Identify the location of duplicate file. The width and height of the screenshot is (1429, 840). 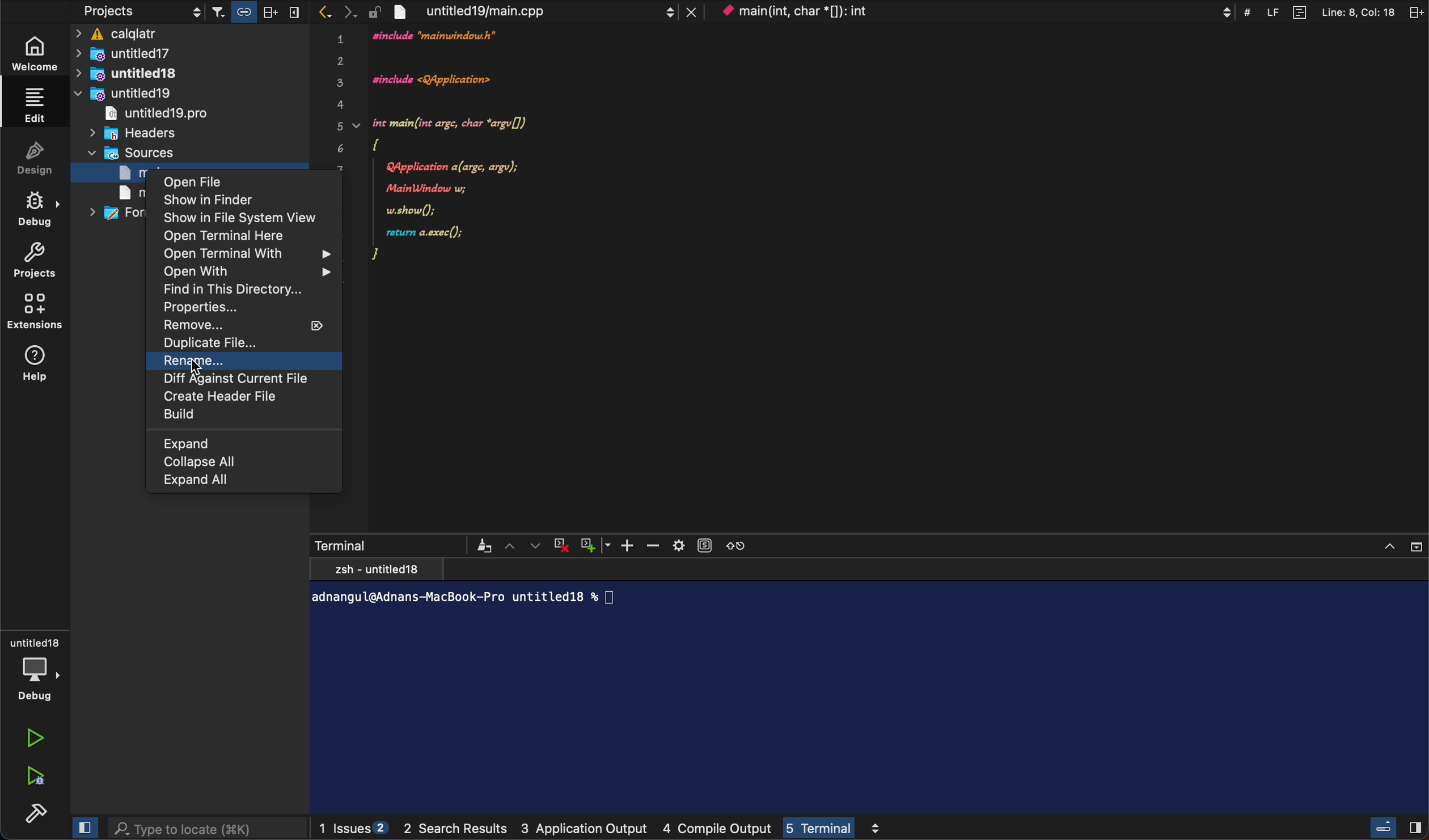
(220, 345).